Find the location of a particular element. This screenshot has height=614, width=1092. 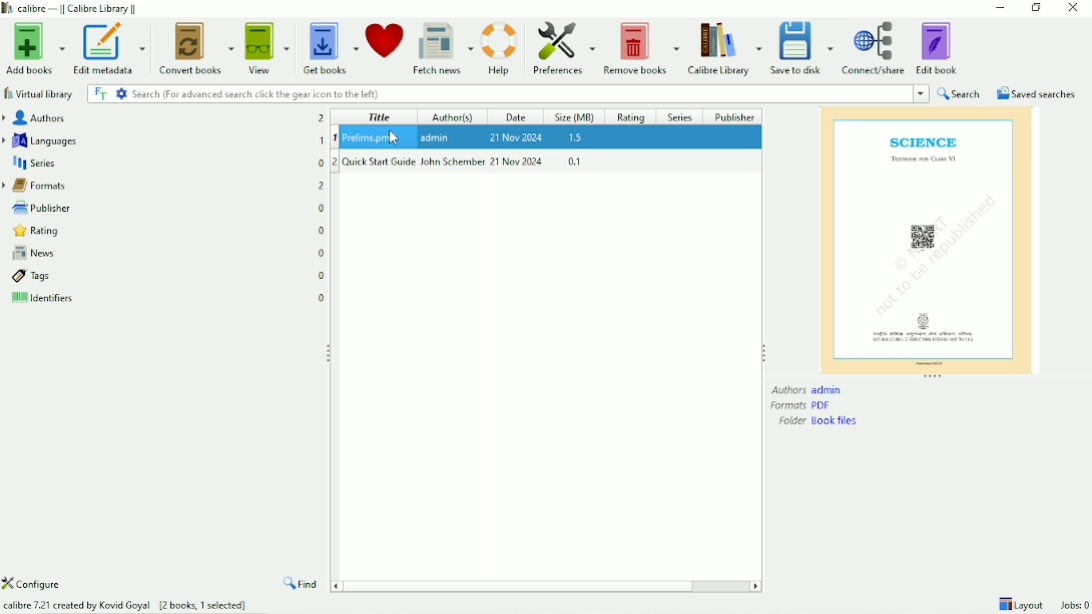

Prelims.pmp is located at coordinates (373, 137).